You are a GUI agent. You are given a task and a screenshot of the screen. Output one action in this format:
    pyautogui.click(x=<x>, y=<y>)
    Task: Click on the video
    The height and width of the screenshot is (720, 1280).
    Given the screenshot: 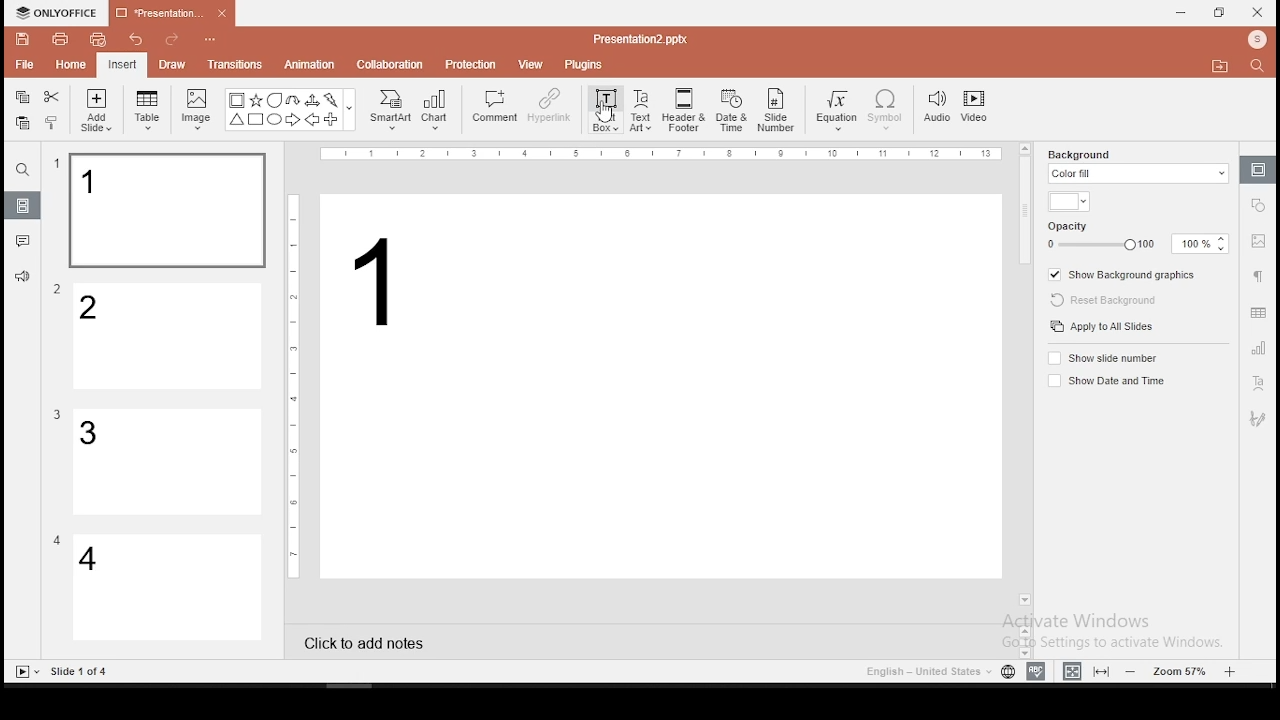 What is the action you would take?
    pyautogui.click(x=974, y=109)
    